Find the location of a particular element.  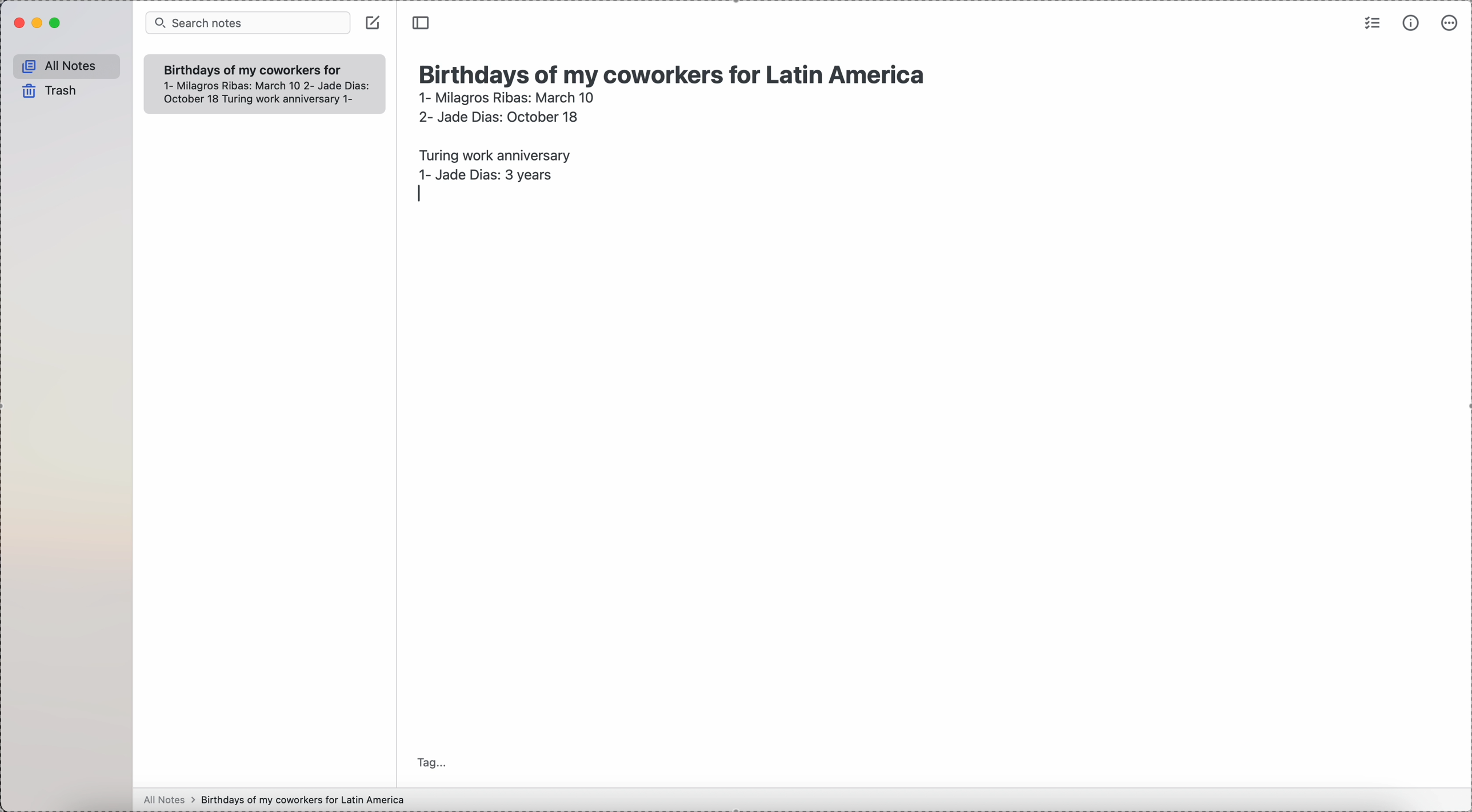

all notes > birthdays of my coworkers for Latin America is located at coordinates (277, 799).